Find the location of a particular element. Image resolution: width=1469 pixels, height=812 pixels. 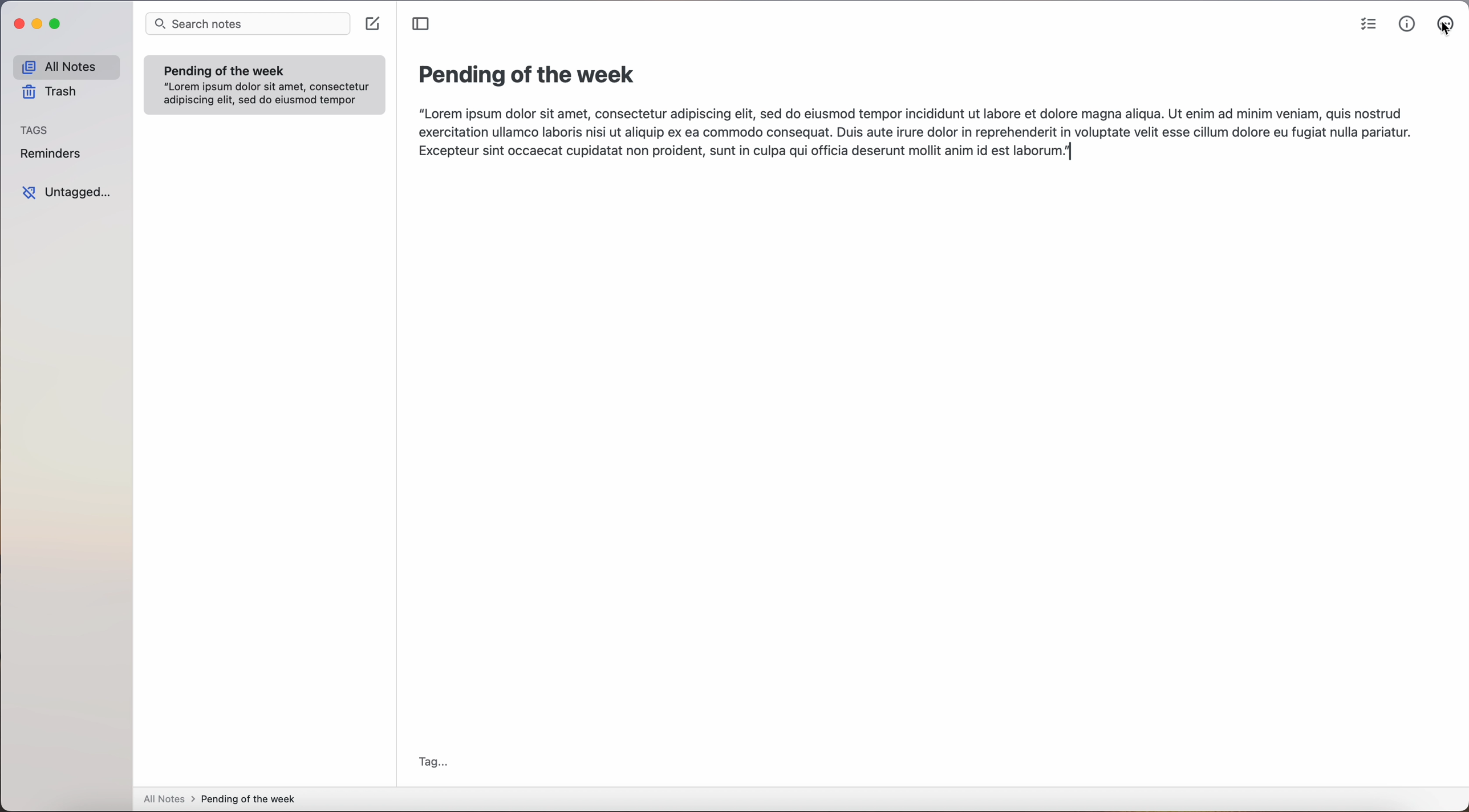

check list is located at coordinates (1365, 25).